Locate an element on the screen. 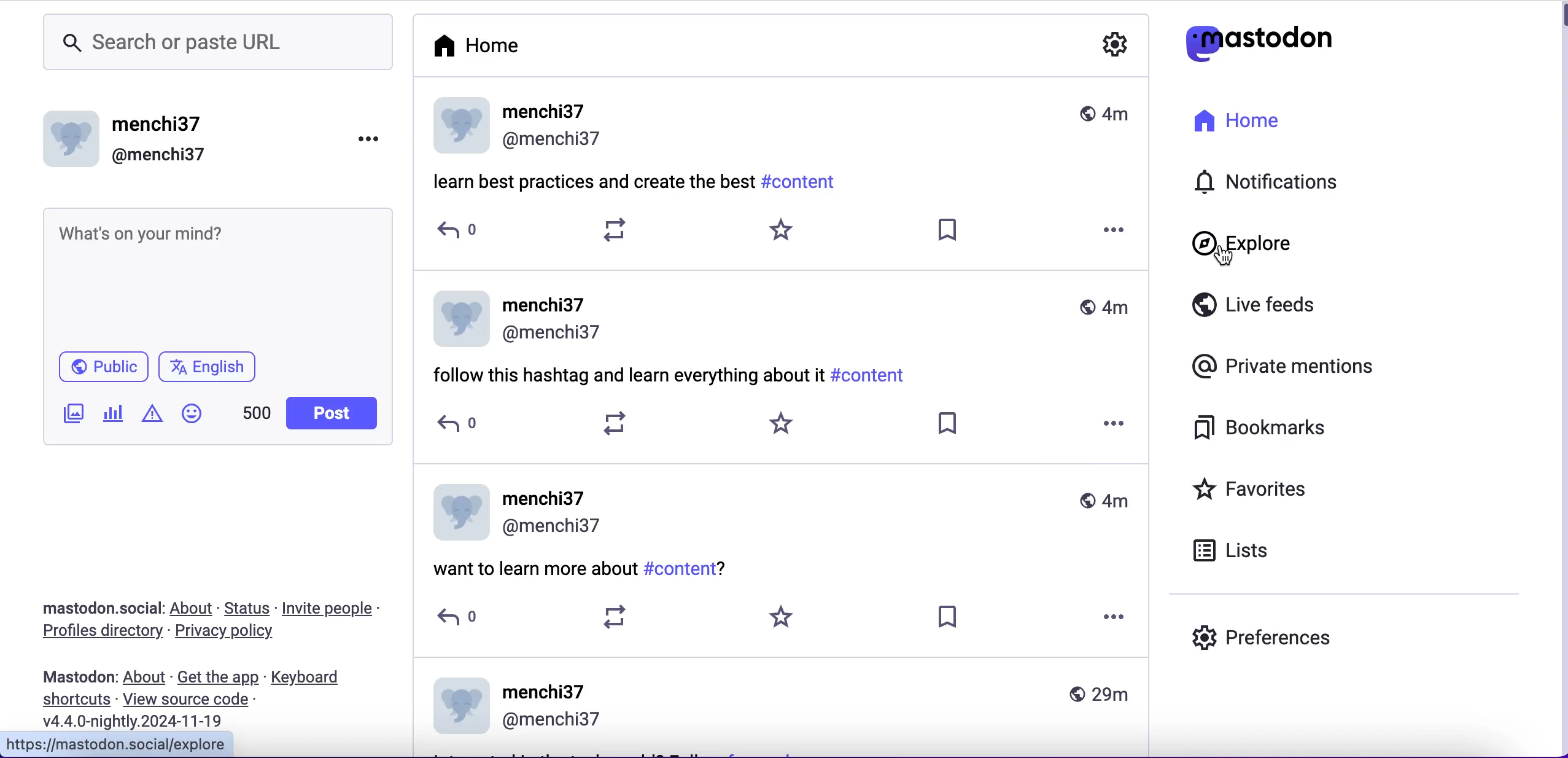  search or paste url is located at coordinates (215, 45).